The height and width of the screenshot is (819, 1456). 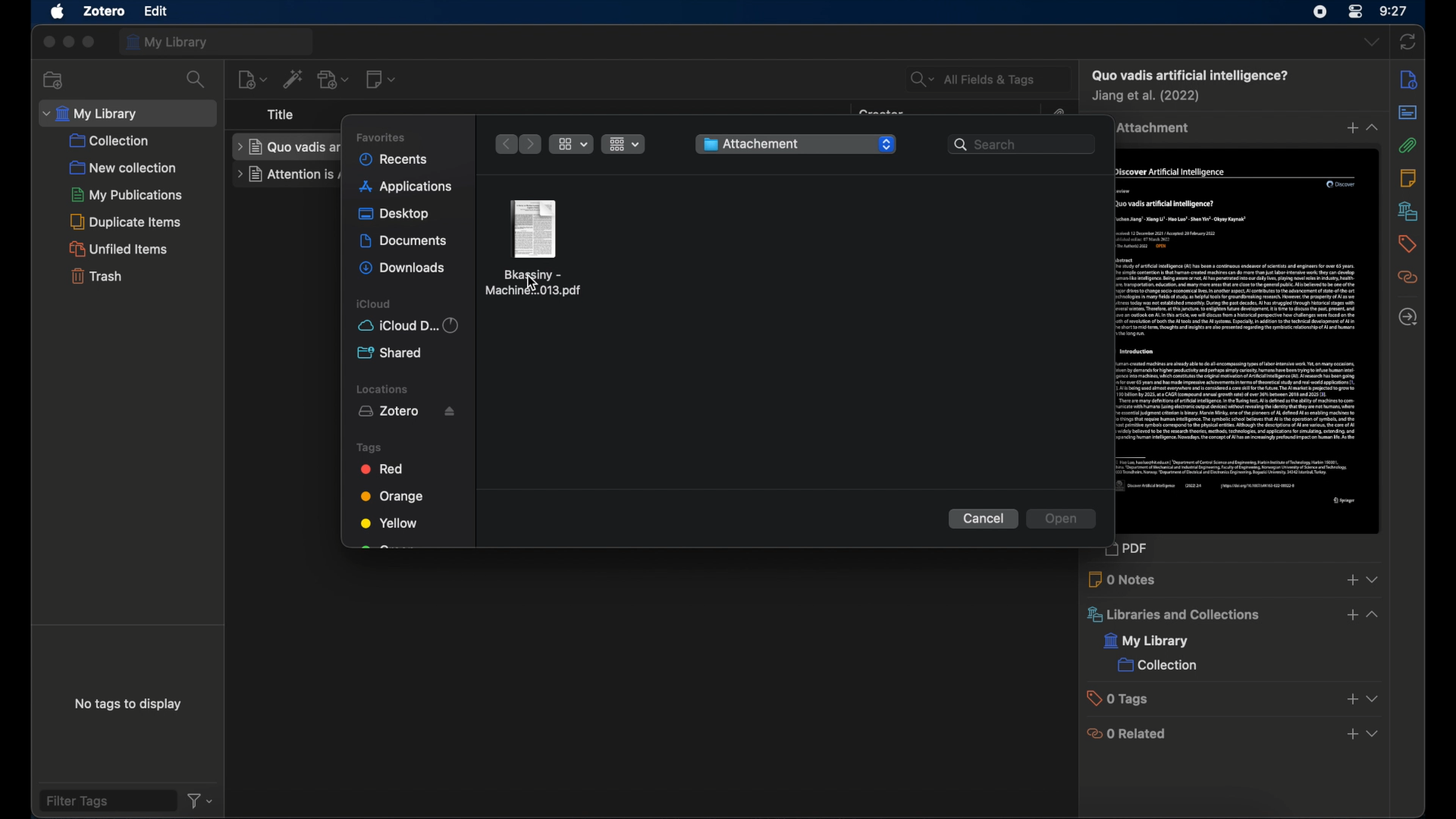 What do you see at coordinates (1376, 614) in the screenshot?
I see `dropdown menu opened` at bounding box center [1376, 614].